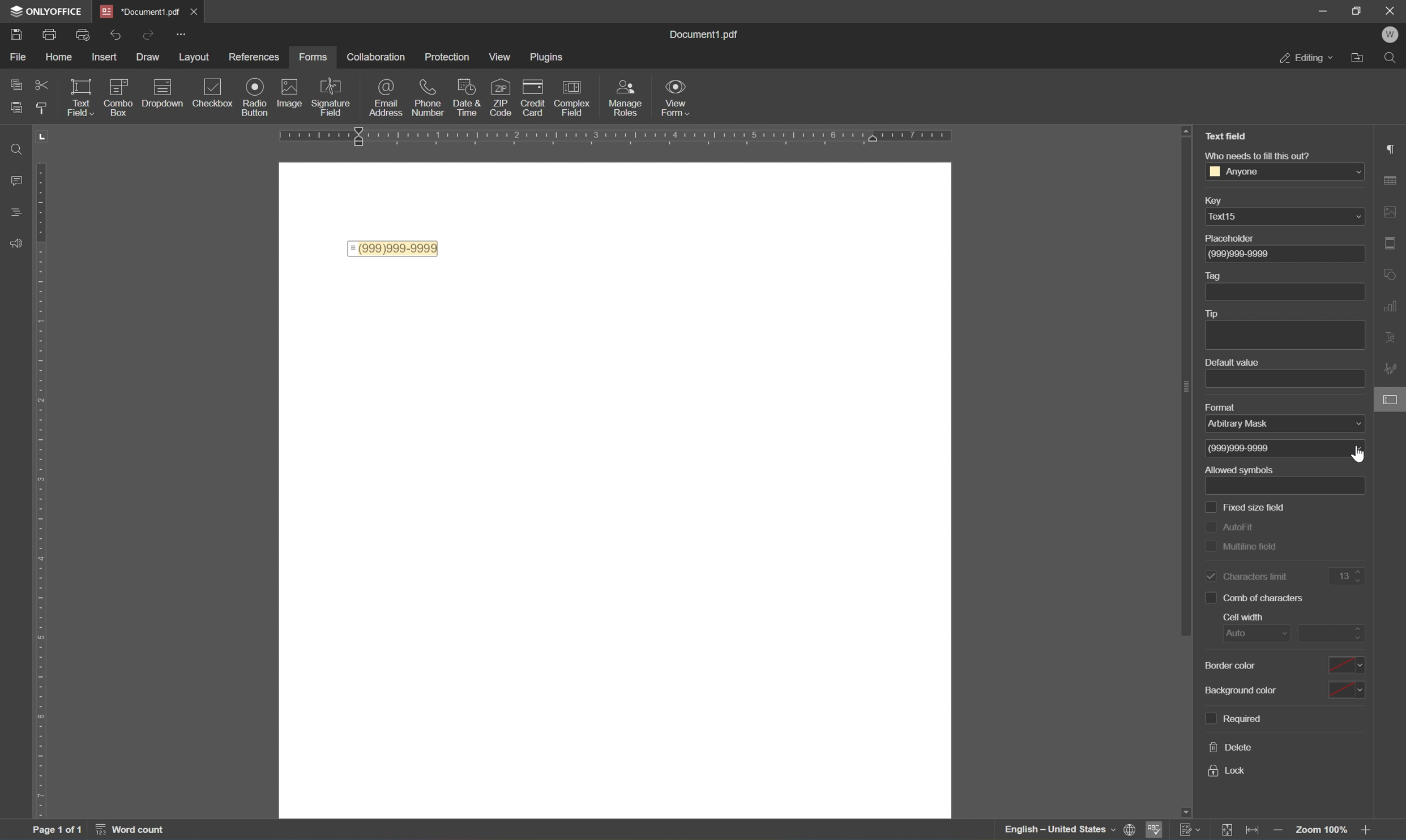  What do you see at coordinates (576, 97) in the screenshot?
I see `complex field` at bounding box center [576, 97].